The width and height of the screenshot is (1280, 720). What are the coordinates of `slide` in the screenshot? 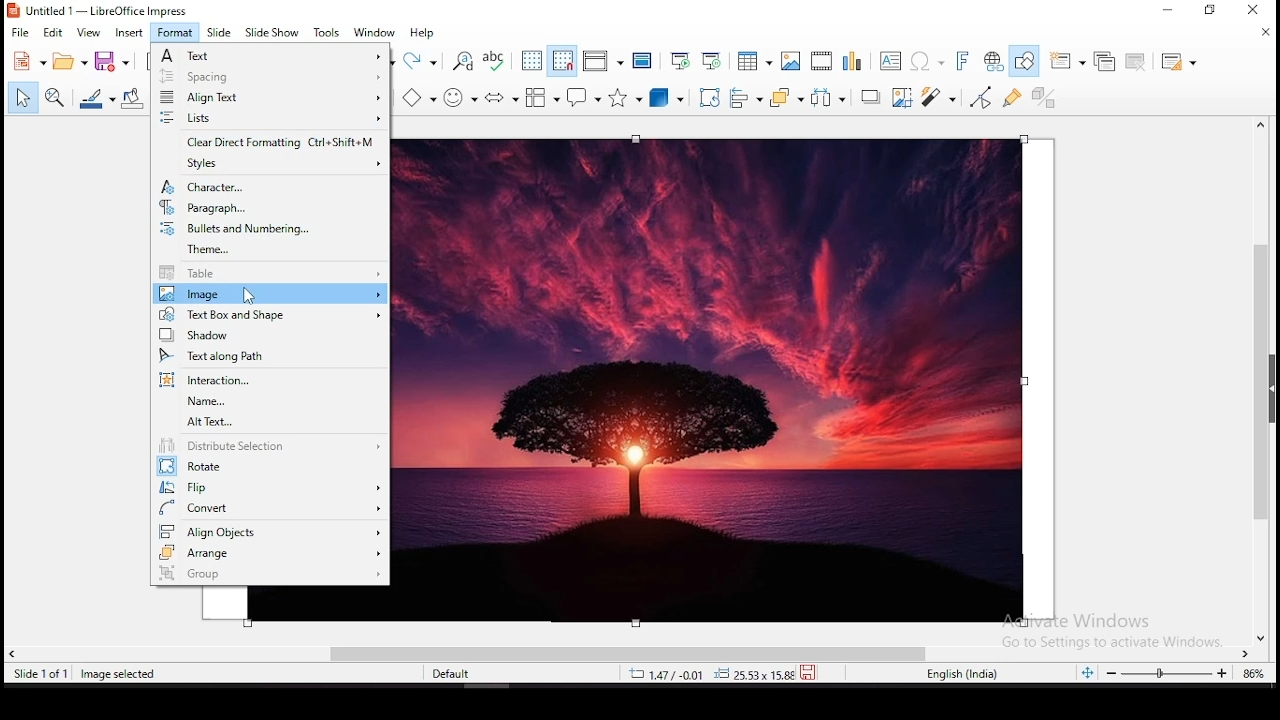 It's located at (220, 32).